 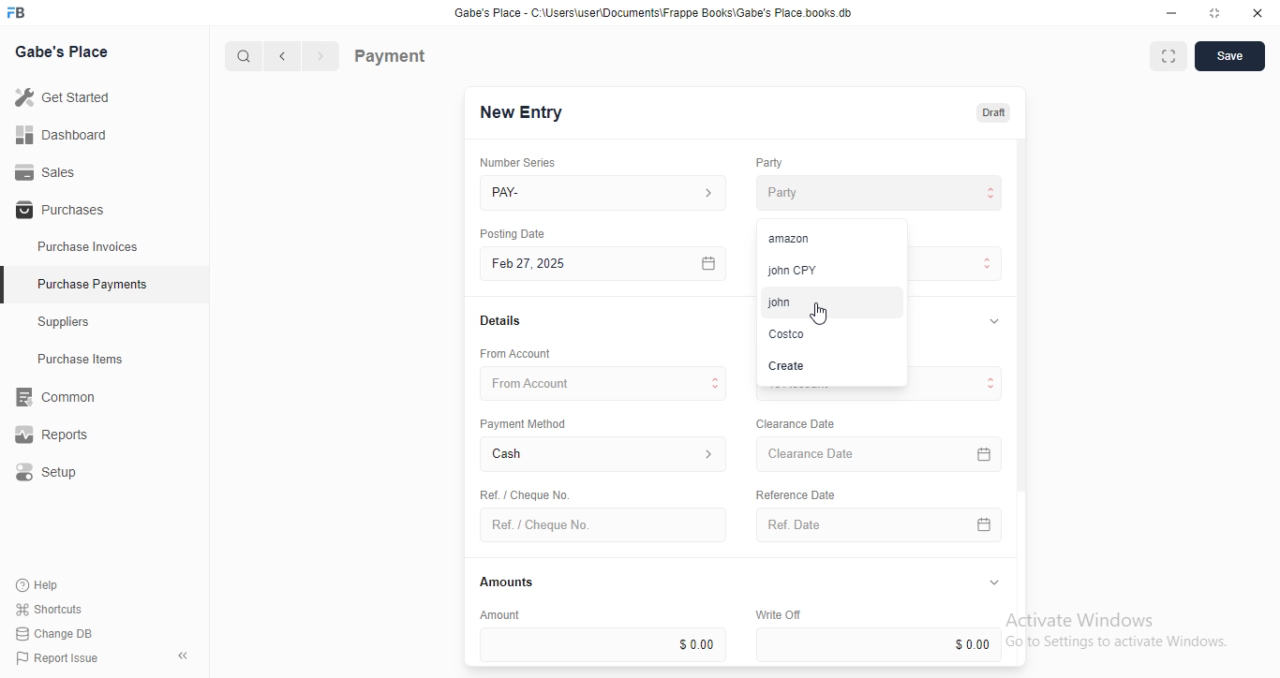 I want to click on Reports., so click(x=59, y=435).